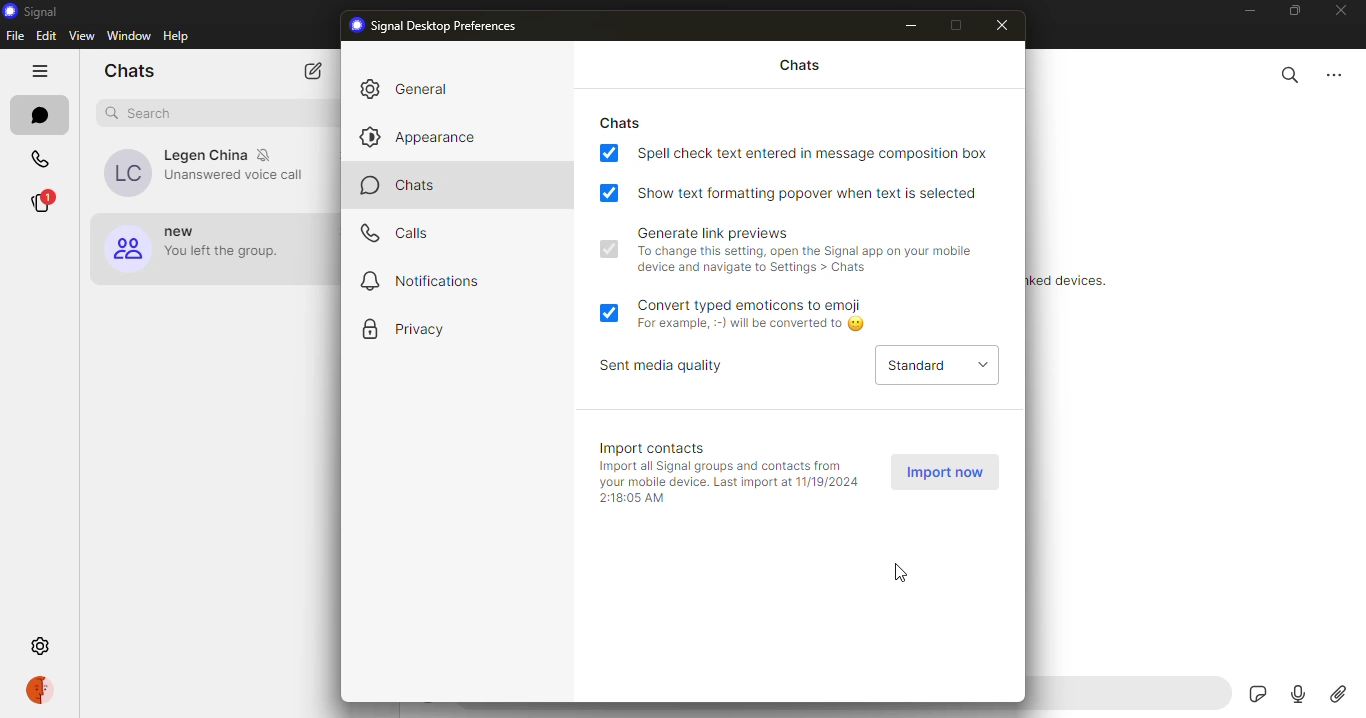 The height and width of the screenshot is (718, 1366). I want to click on view, so click(84, 35).